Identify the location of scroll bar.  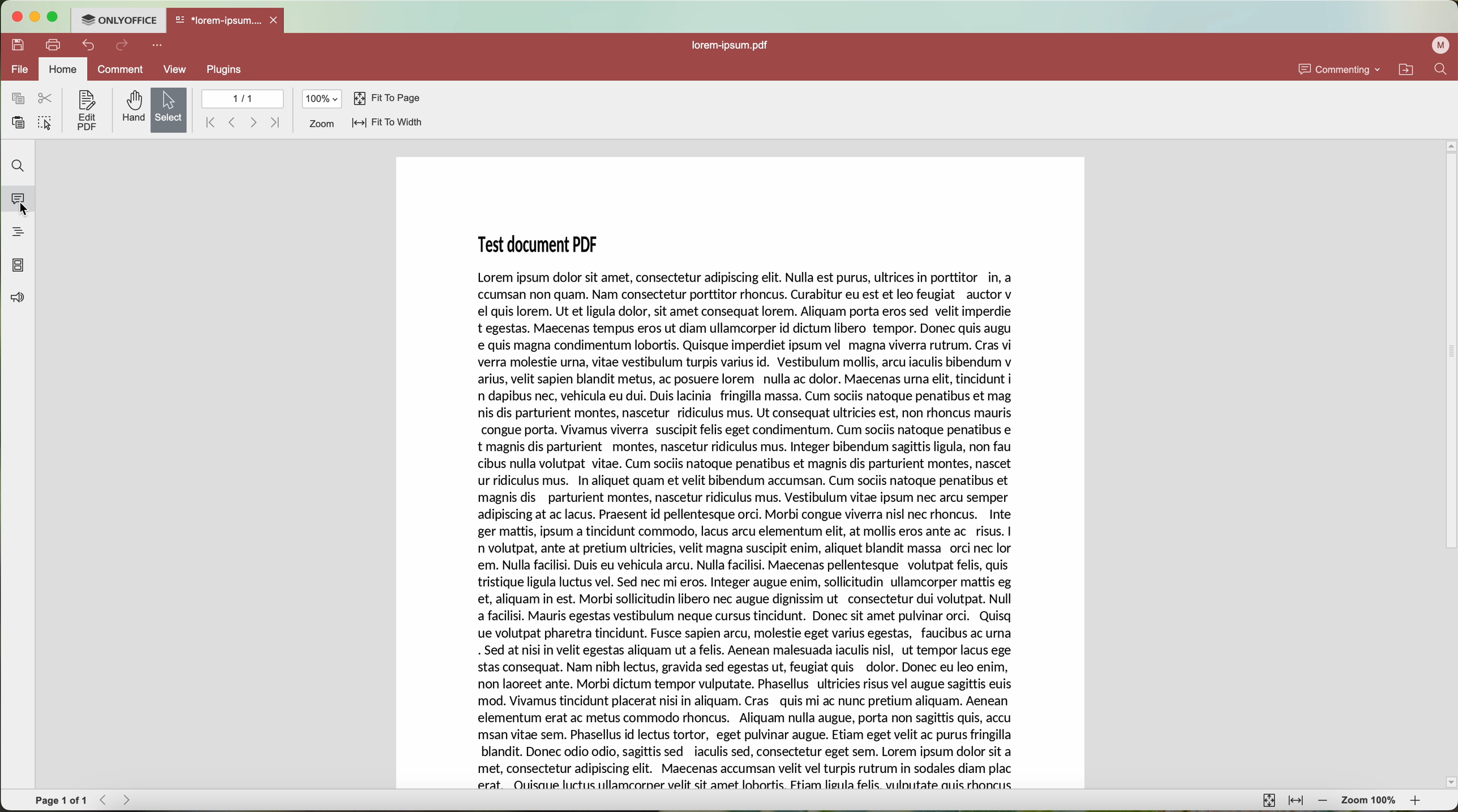
(1449, 464).